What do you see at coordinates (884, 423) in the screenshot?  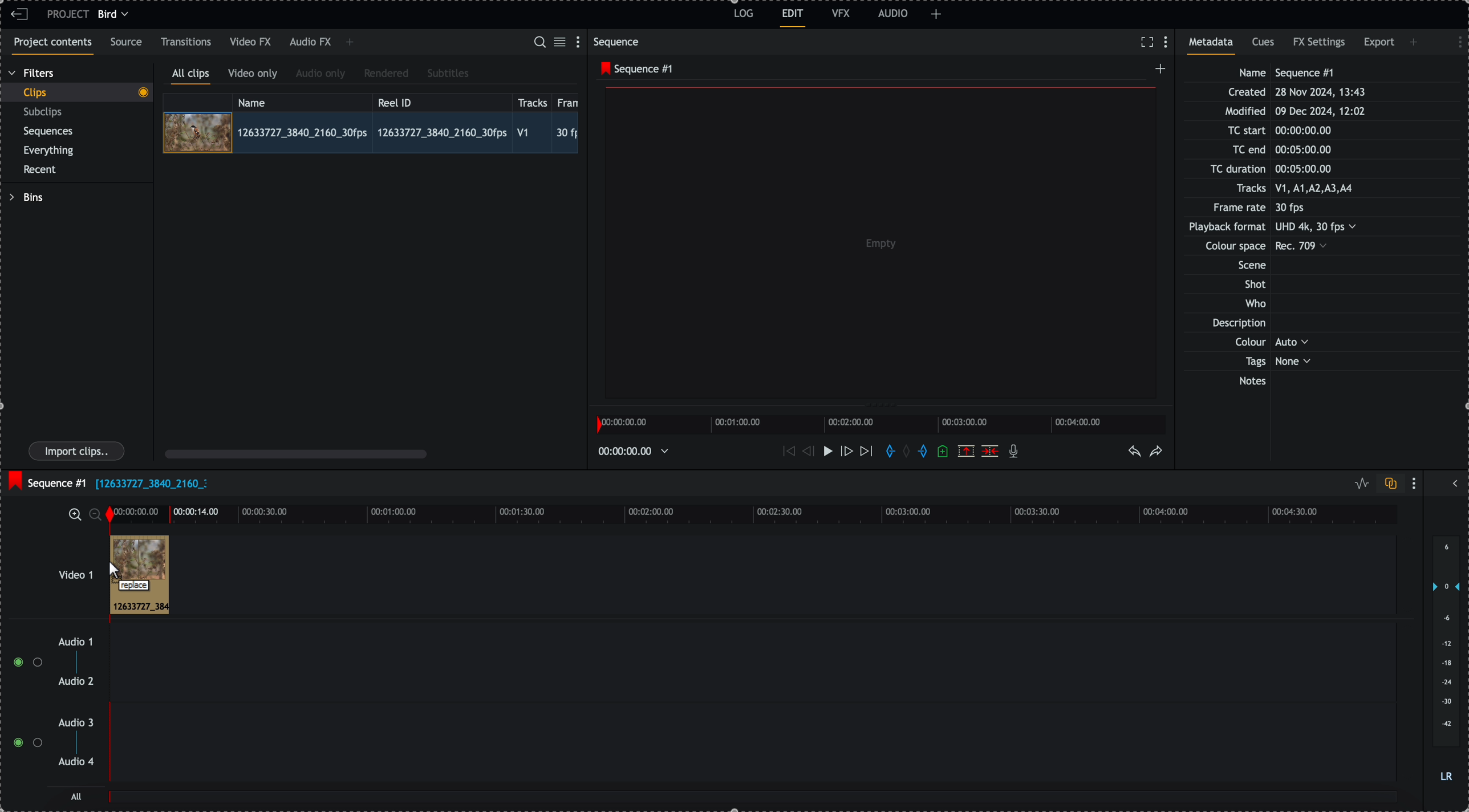 I see `timeline` at bounding box center [884, 423].